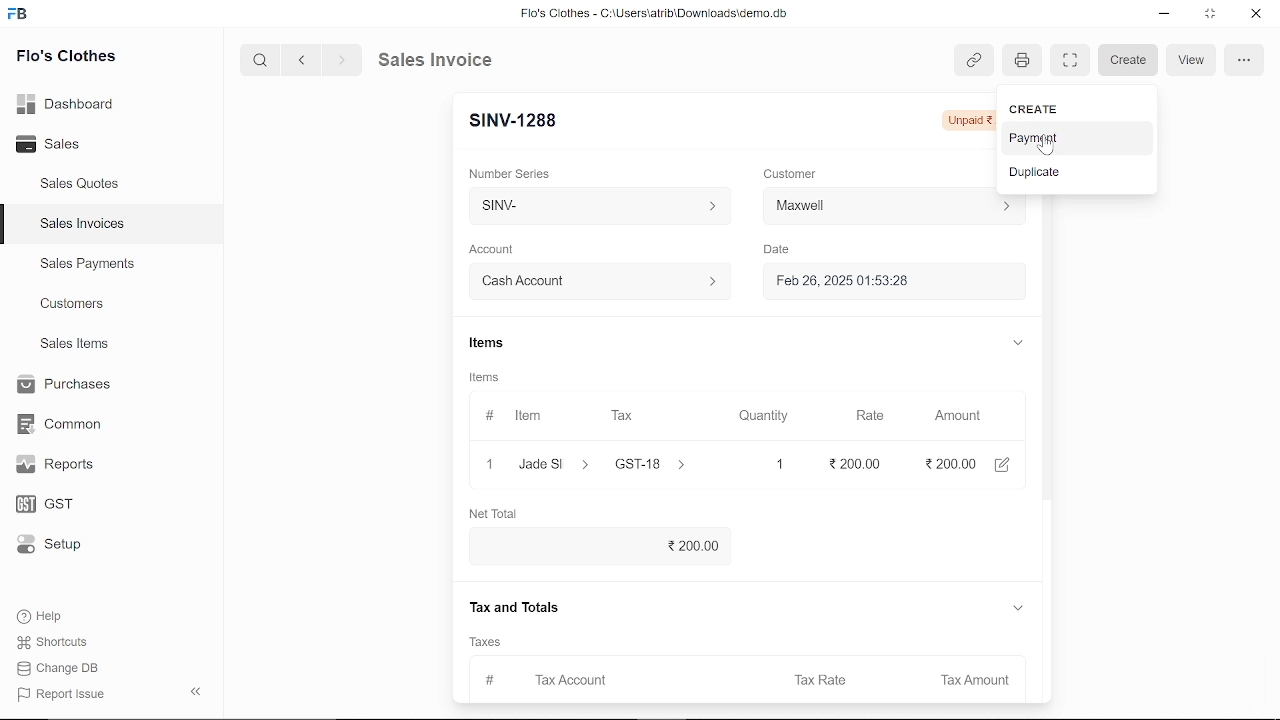 This screenshot has width=1280, height=720. I want to click on View, so click(1191, 60).